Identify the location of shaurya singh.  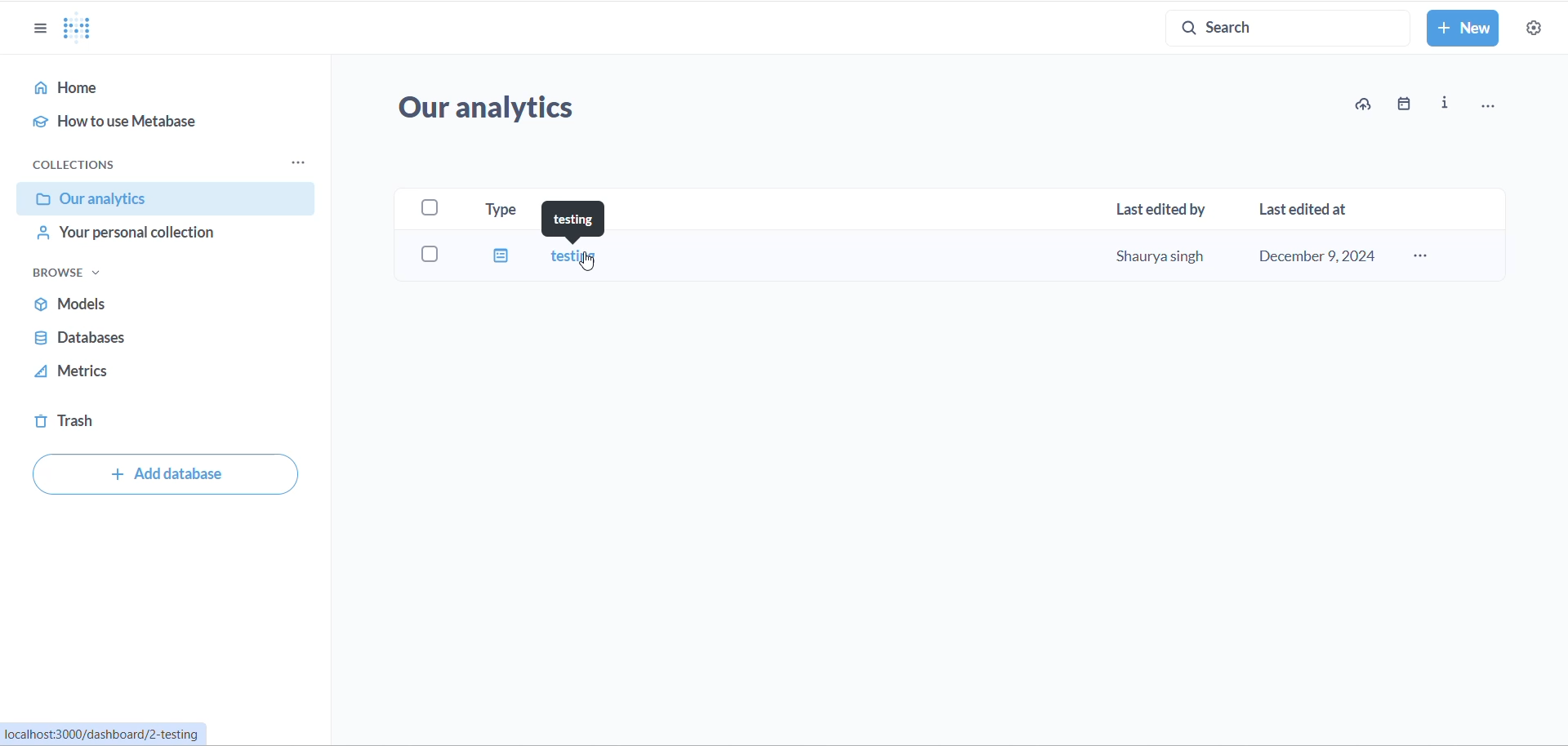
(1151, 254).